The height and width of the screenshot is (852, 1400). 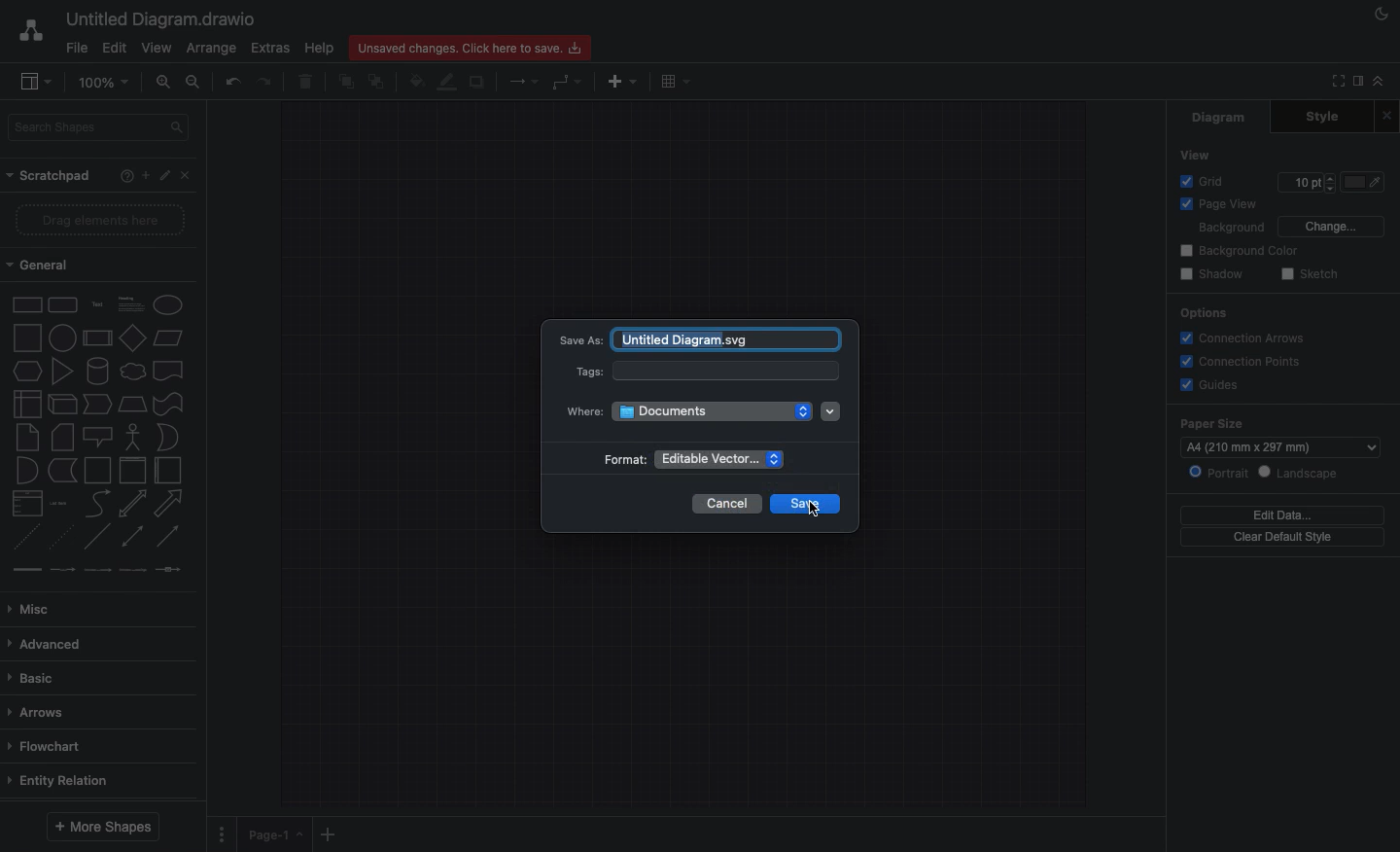 I want to click on Close, so click(x=1387, y=117).